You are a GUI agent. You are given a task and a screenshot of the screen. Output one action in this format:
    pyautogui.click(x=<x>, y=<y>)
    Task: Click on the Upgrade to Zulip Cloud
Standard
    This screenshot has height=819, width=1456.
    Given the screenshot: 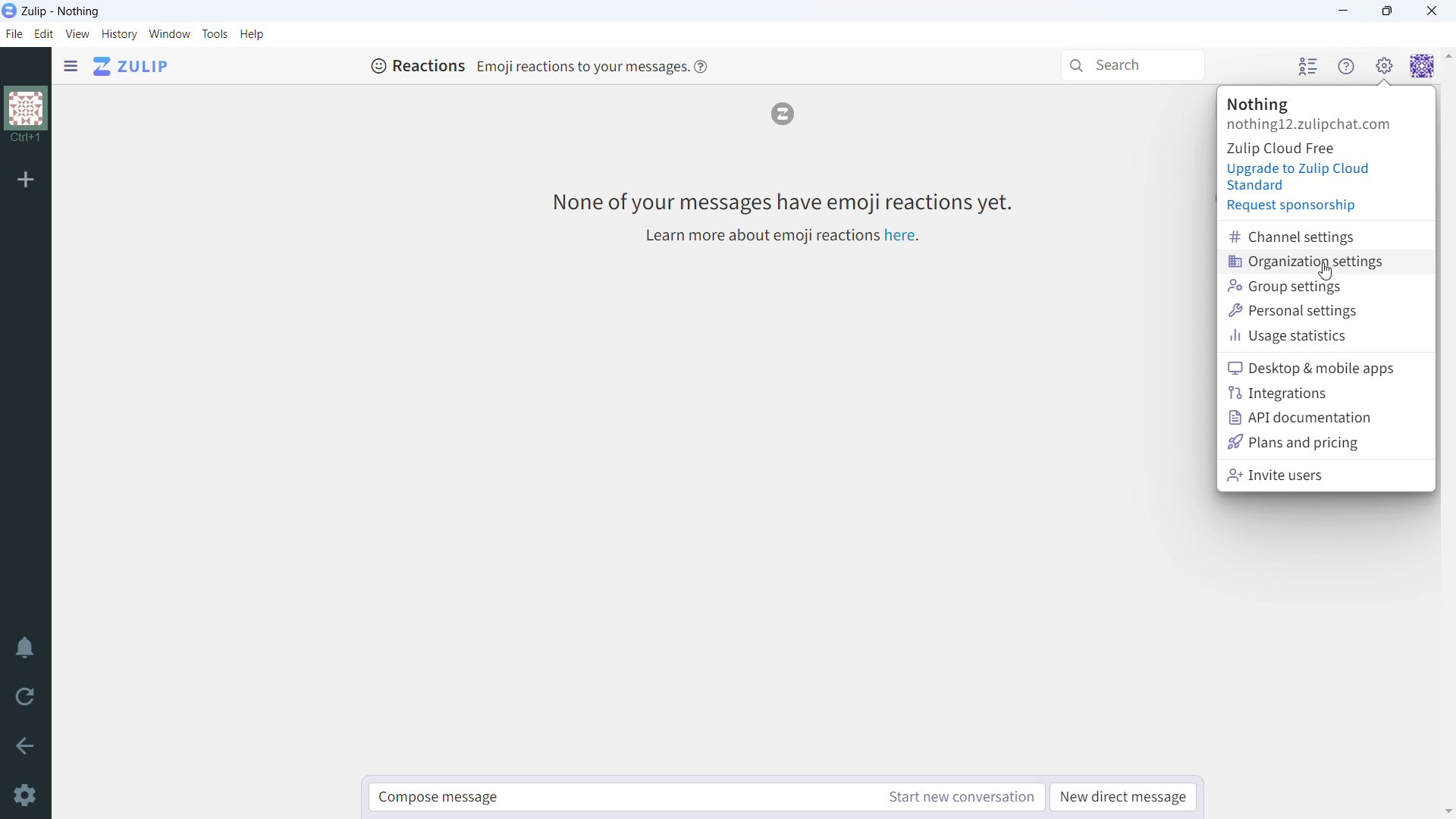 What is the action you would take?
    pyautogui.click(x=1300, y=177)
    